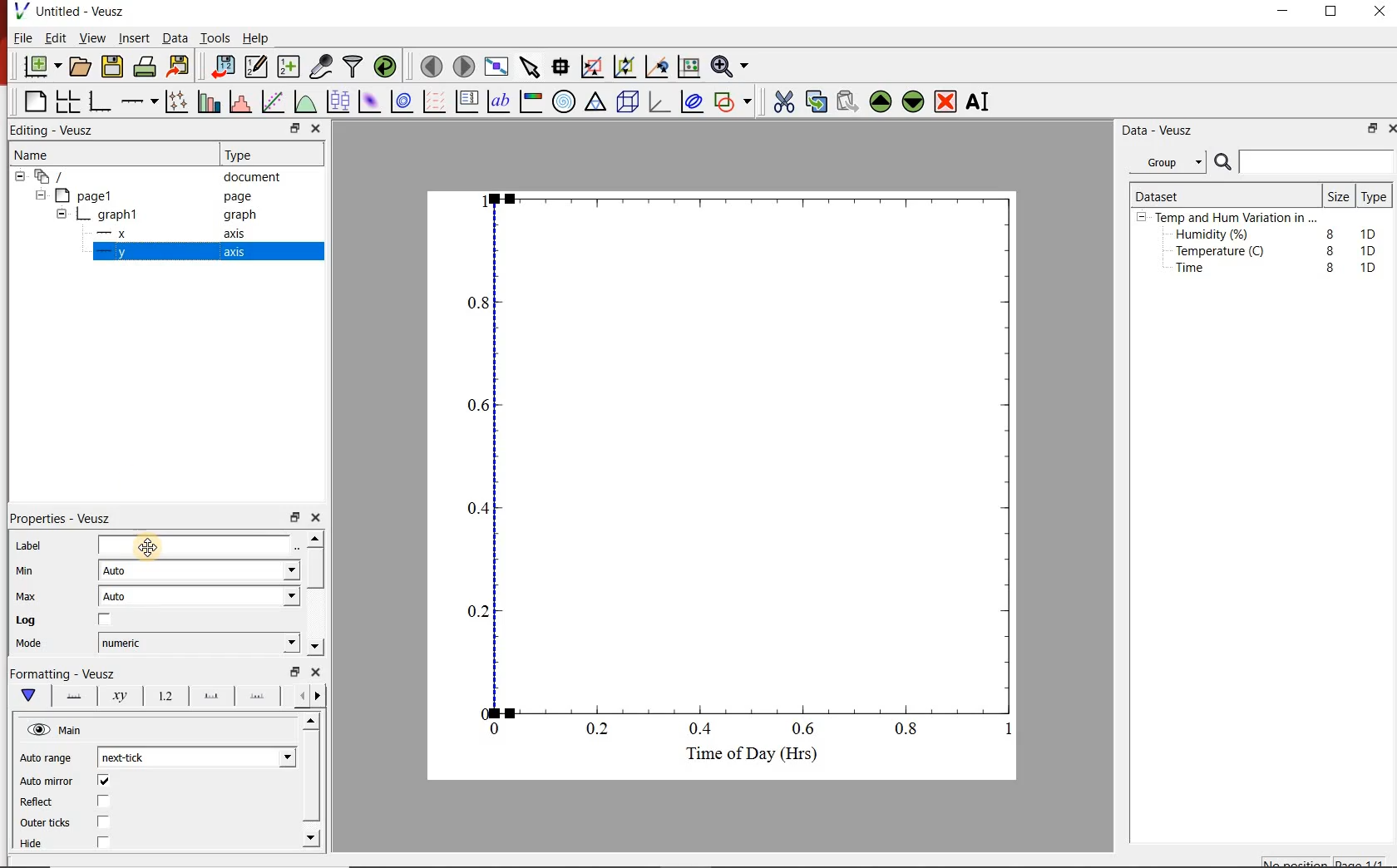  What do you see at coordinates (146, 69) in the screenshot?
I see `print the document` at bounding box center [146, 69].